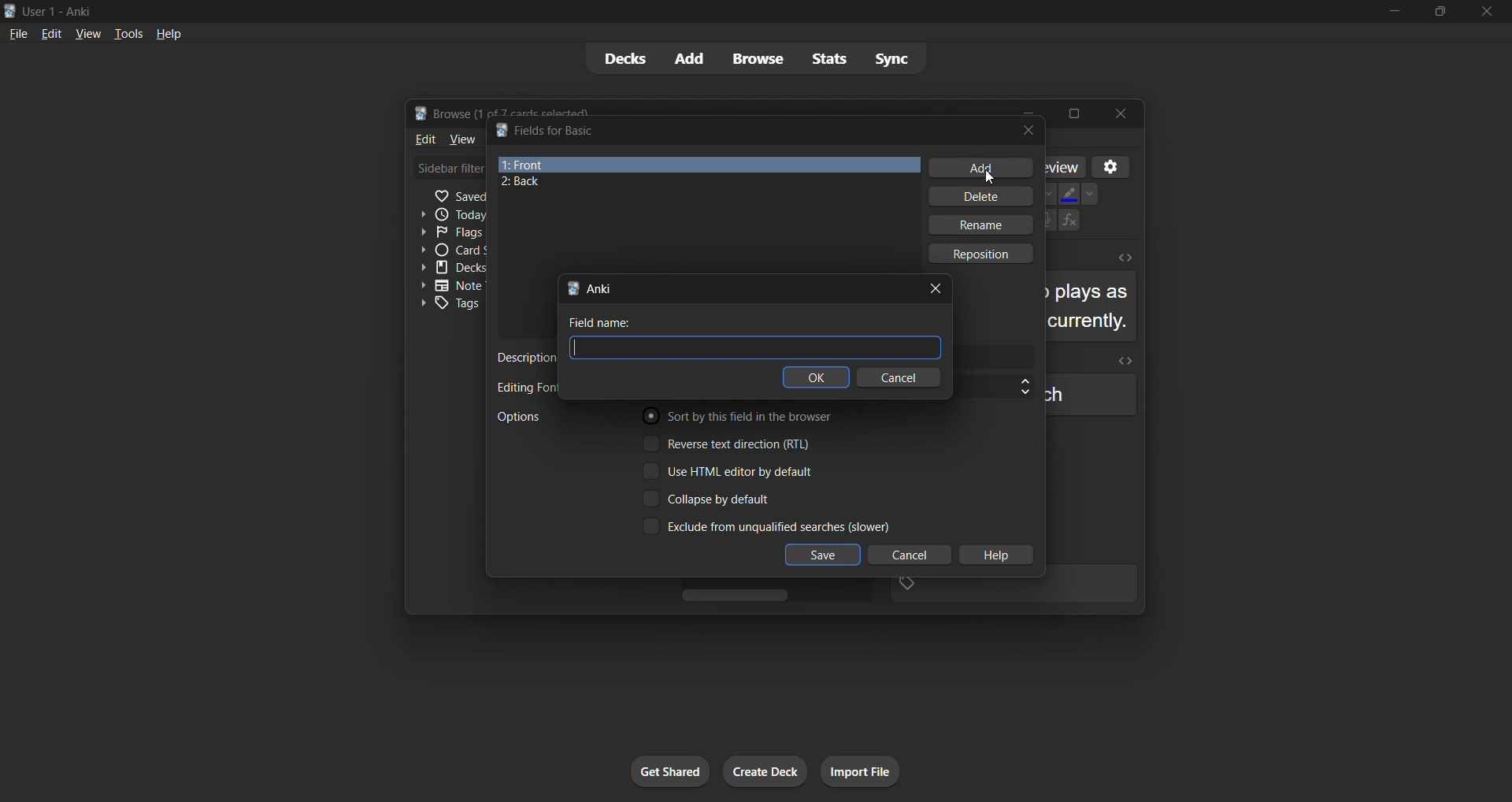 The width and height of the screenshot is (1512, 802). What do you see at coordinates (1114, 164) in the screenshot?
I see `Settings` at bounding box center [1114, 164].